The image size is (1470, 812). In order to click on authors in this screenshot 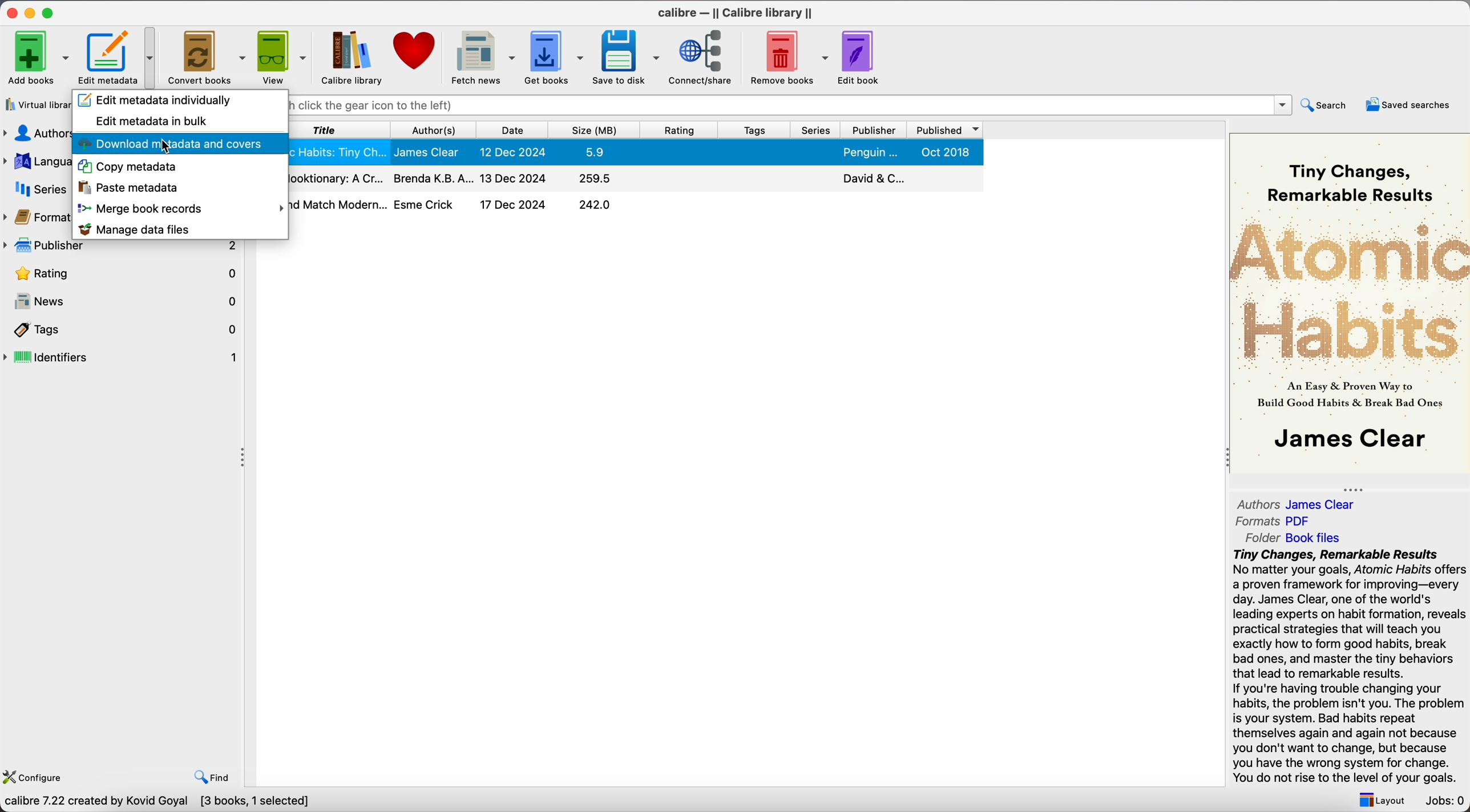, I will do `click(437, 130)`.